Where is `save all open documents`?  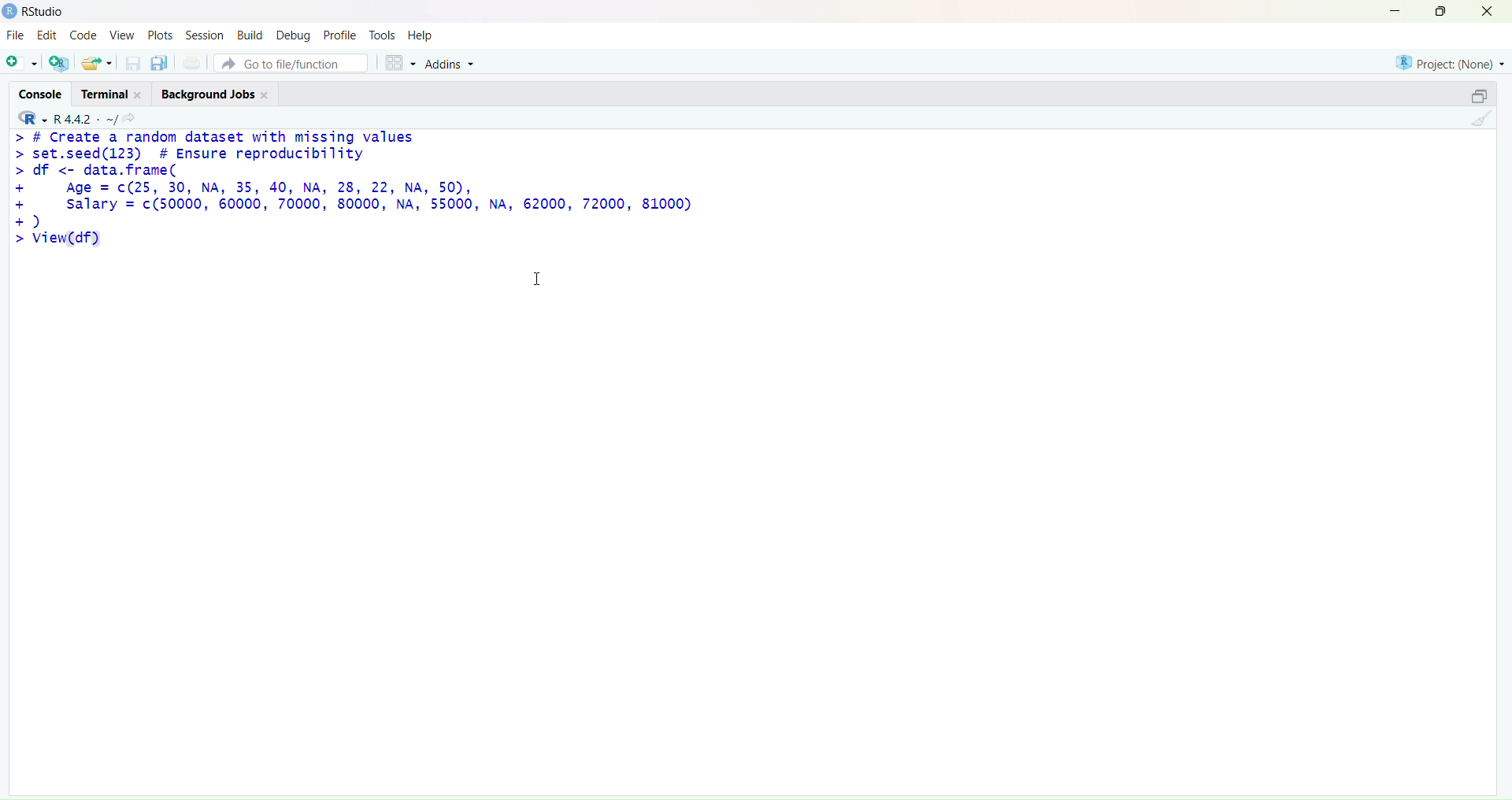 save all open documents is located at coordinates (160, 64).